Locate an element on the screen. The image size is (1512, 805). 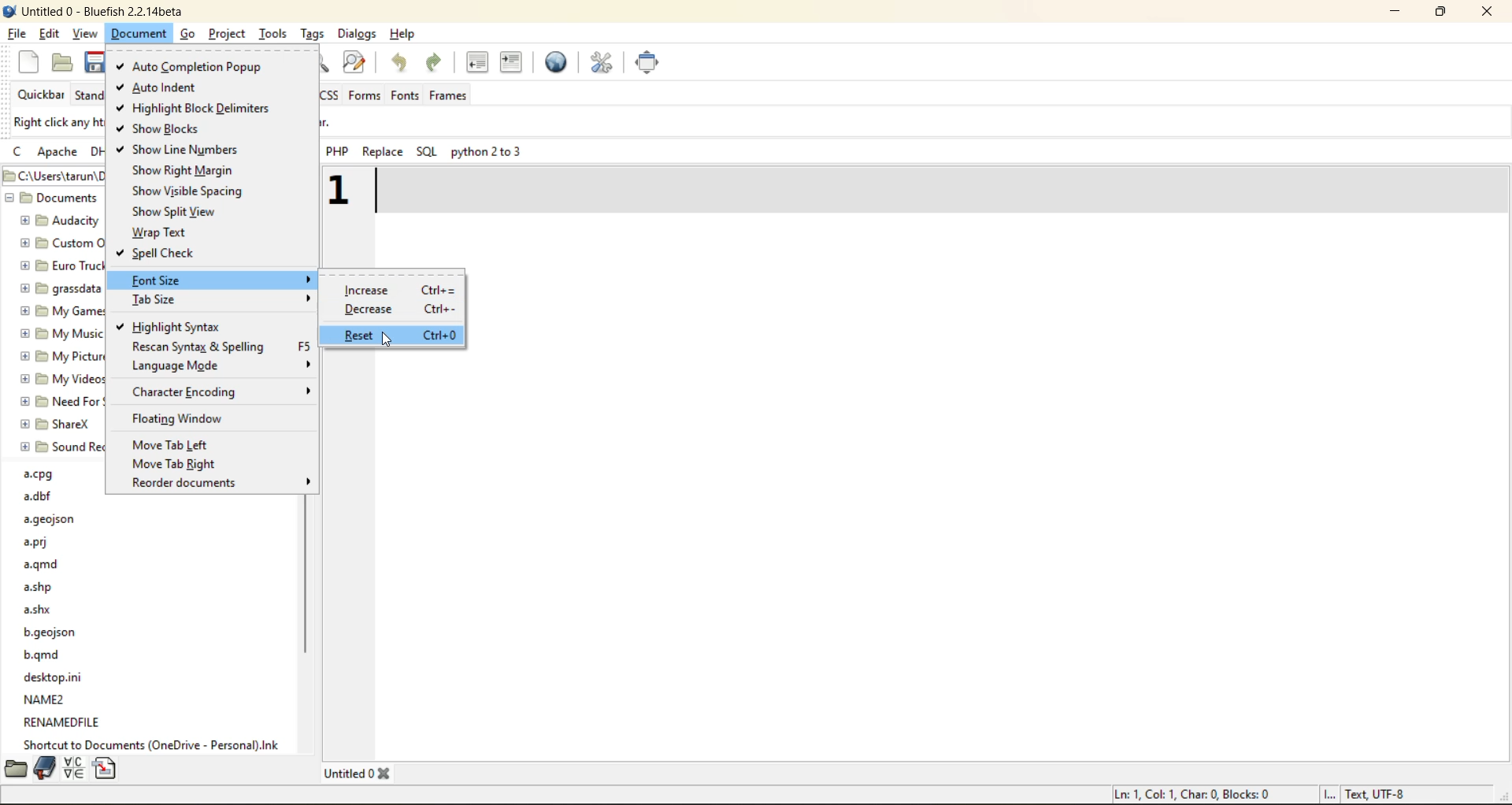
a.shp is located at coordinates (41, 587).